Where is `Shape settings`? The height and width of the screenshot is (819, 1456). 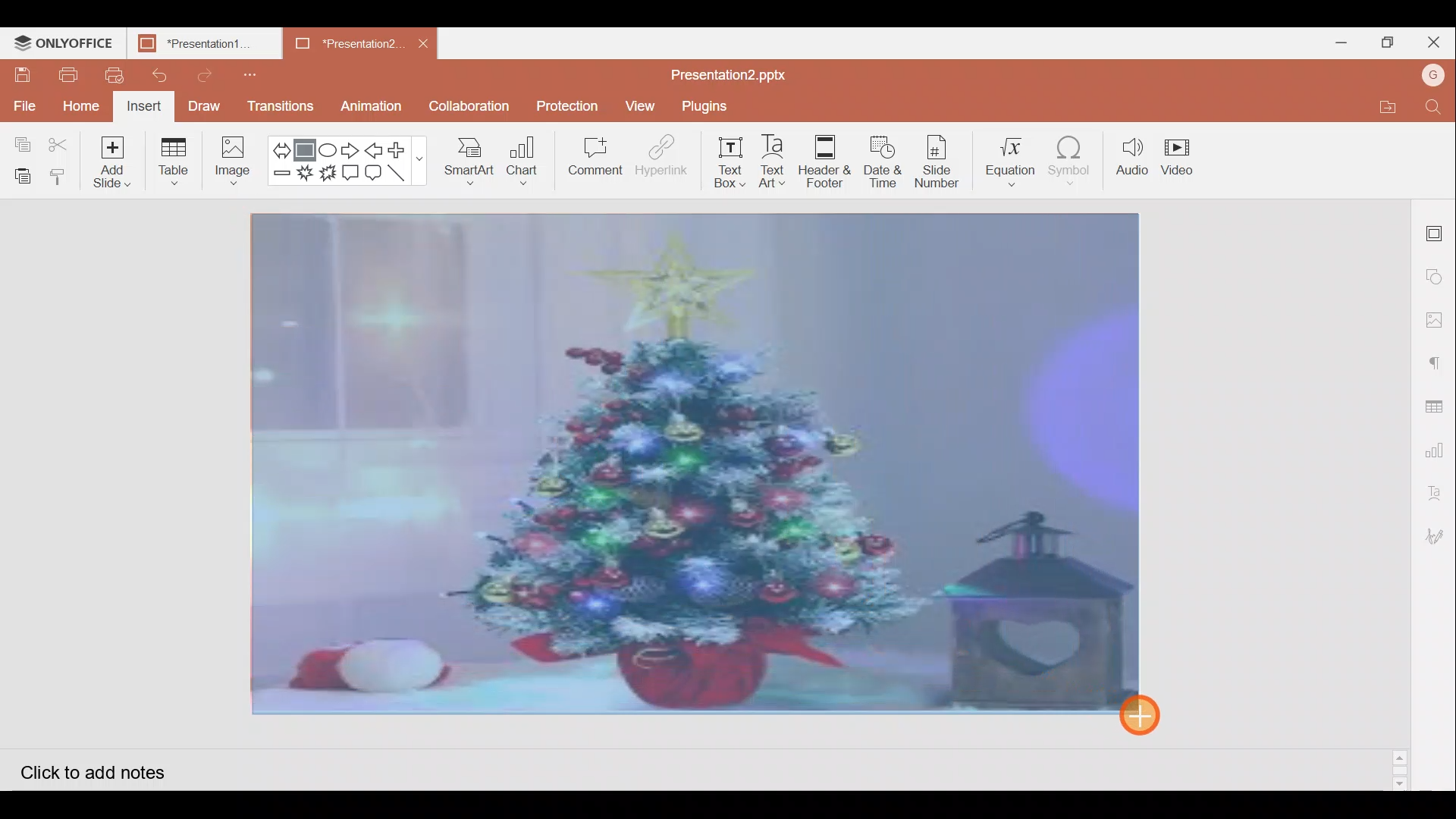
Shape settings is located at coordinates (1438, 272).